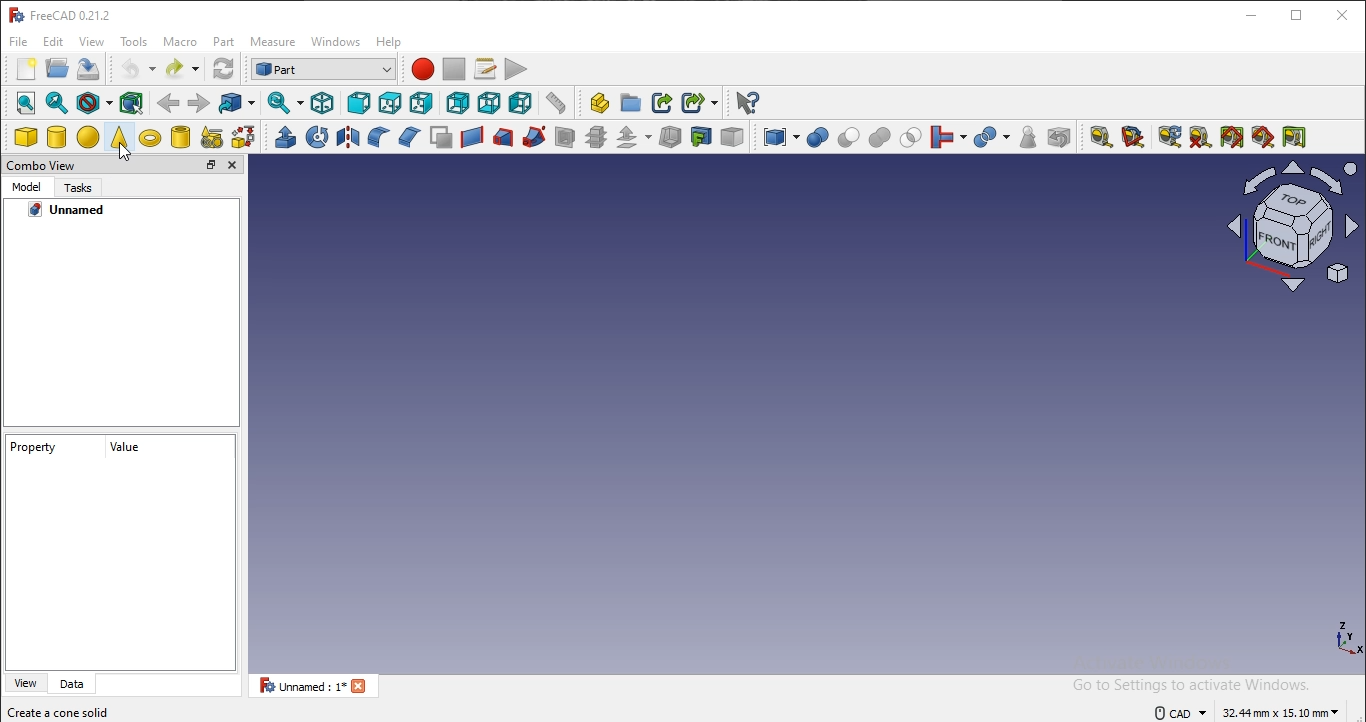 The height and width of the screenshot is (722, 1366). What do you see at coordinates (280, 102) in the screenshot?
I see `sync view` at bounding box center [280, 102].